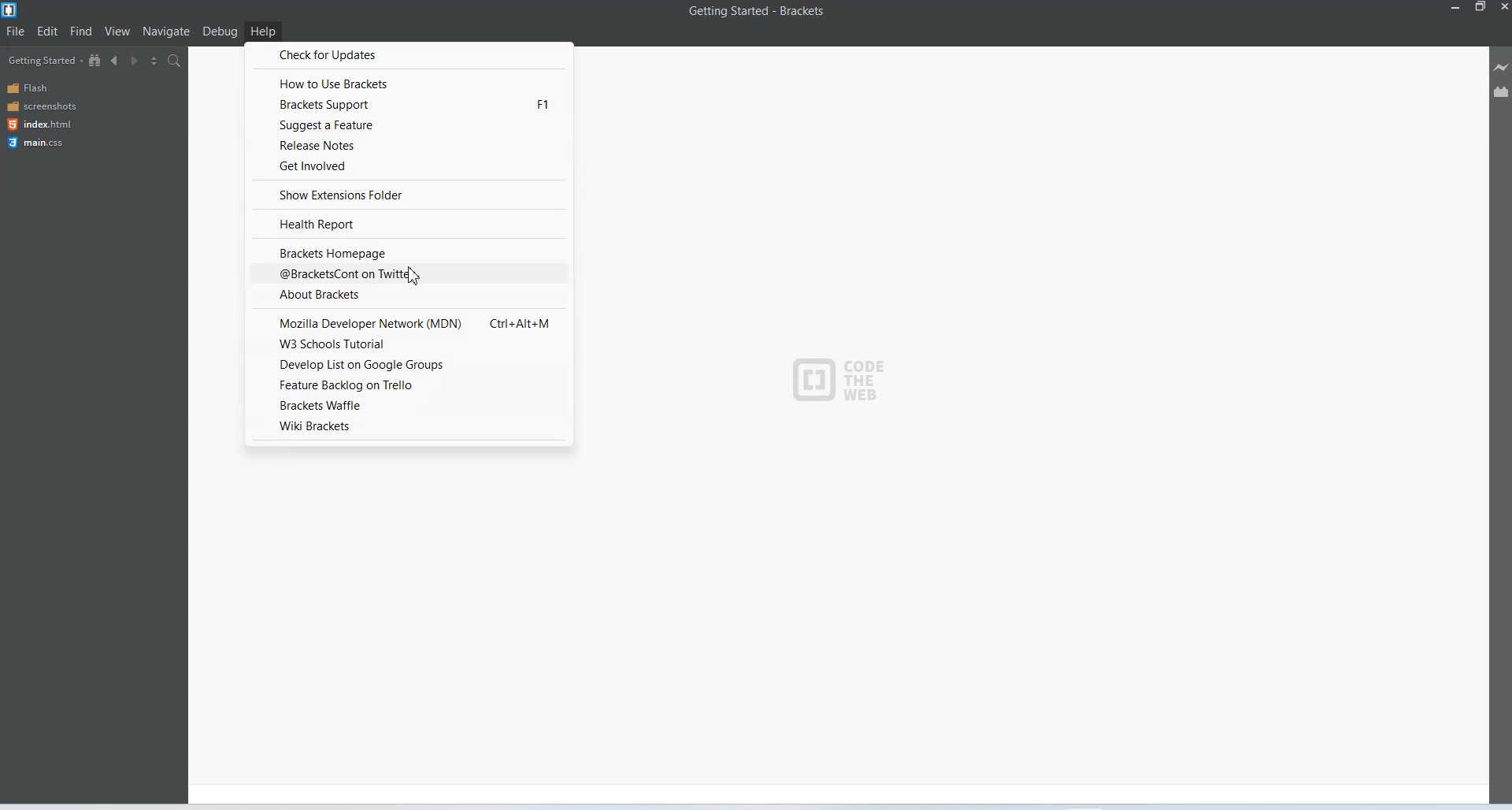  Describe the element at coordinates (408, 385) in the screenshot. I see `featured backlog on trello` at that location.